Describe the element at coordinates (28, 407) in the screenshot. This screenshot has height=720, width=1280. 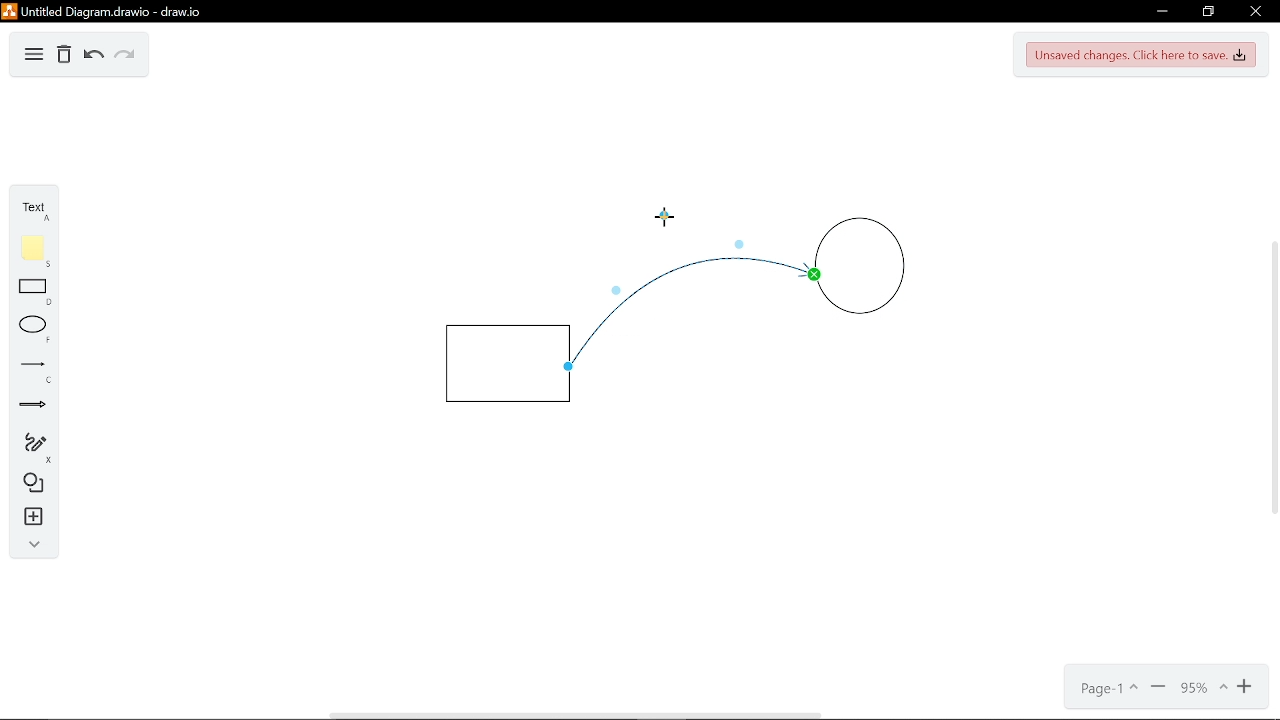
I see `Arrow` at that location.